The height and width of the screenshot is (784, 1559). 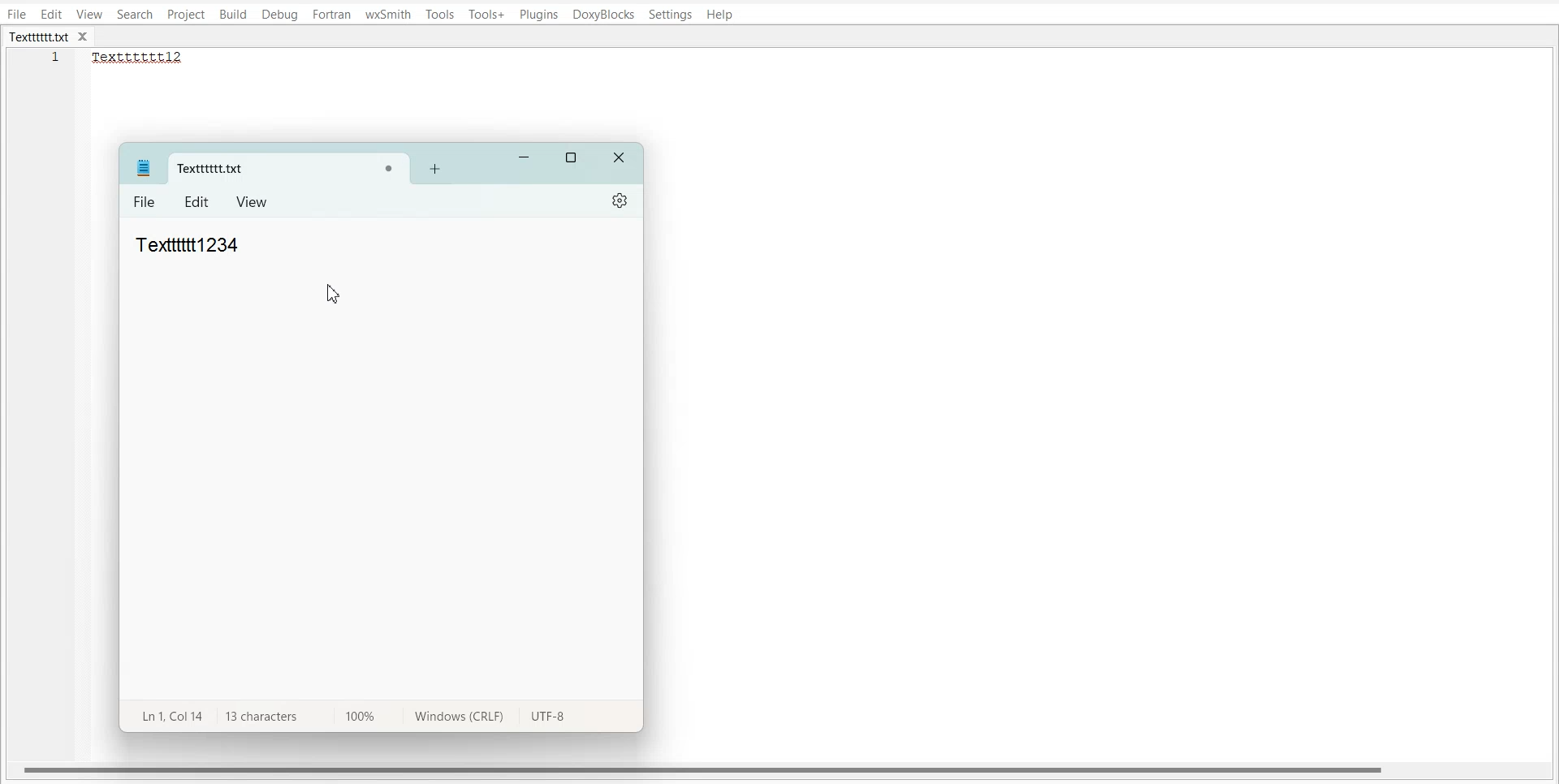 I want to click on File, so click(x=16, y=14).